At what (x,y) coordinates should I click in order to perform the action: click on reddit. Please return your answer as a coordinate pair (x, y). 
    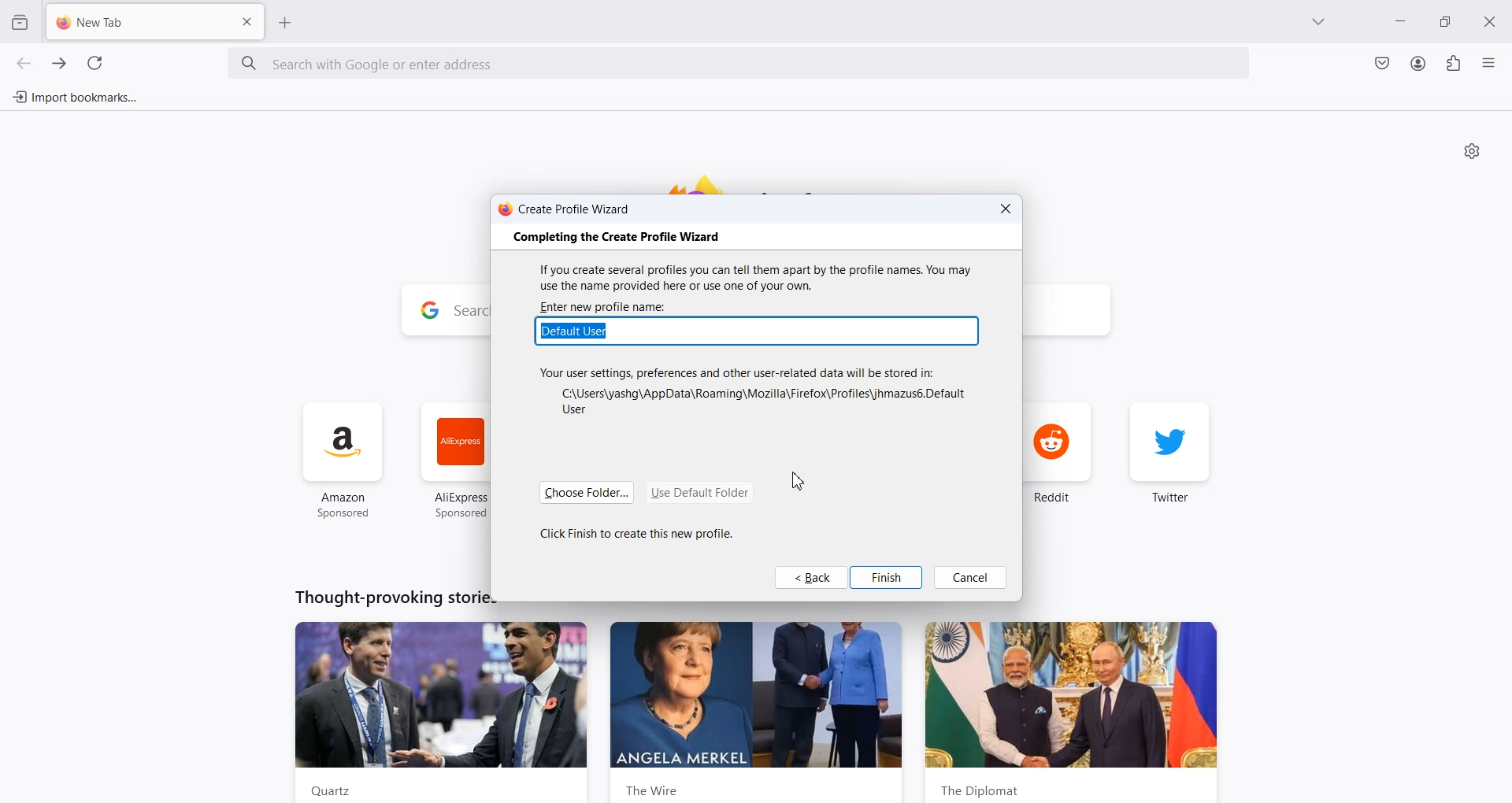
    Looking at the image, I should click on (1062, 453).